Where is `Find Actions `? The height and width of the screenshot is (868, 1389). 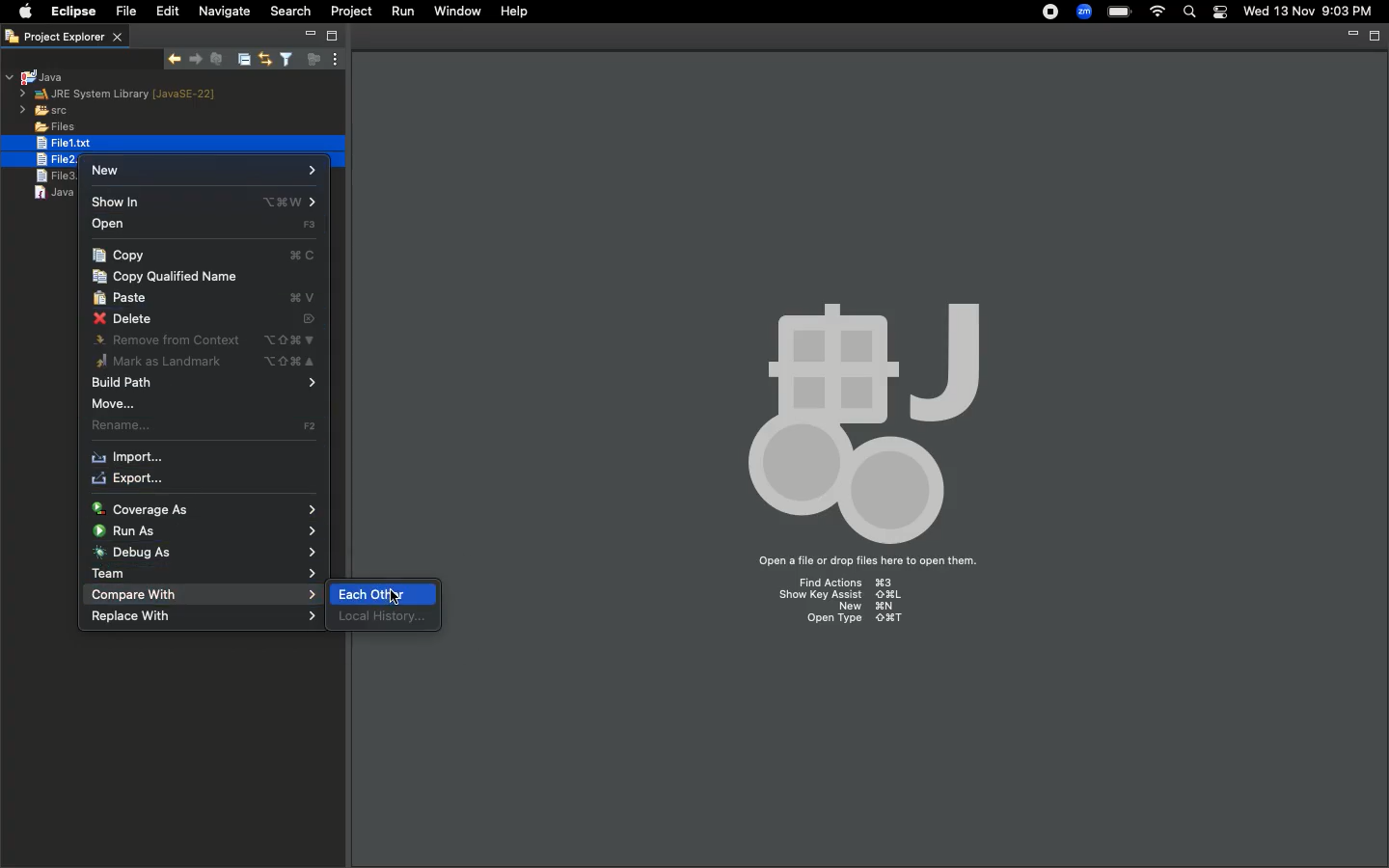
Find Actions  is located at coordinates (855, 583).